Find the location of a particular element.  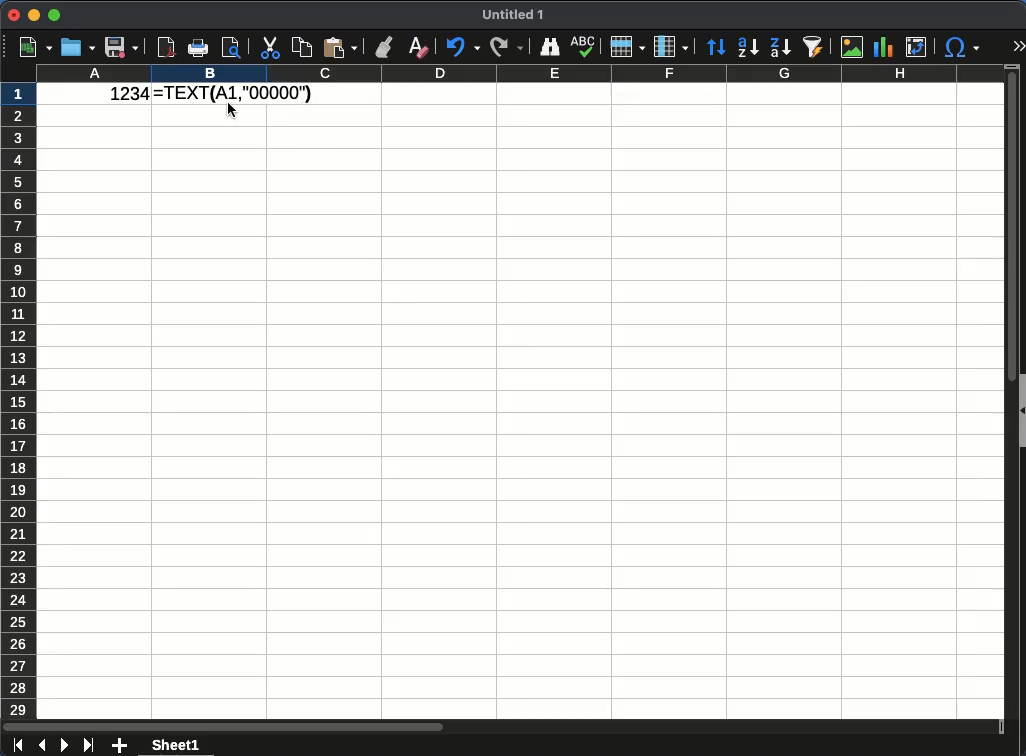

save is located at coordinates (122, 47).